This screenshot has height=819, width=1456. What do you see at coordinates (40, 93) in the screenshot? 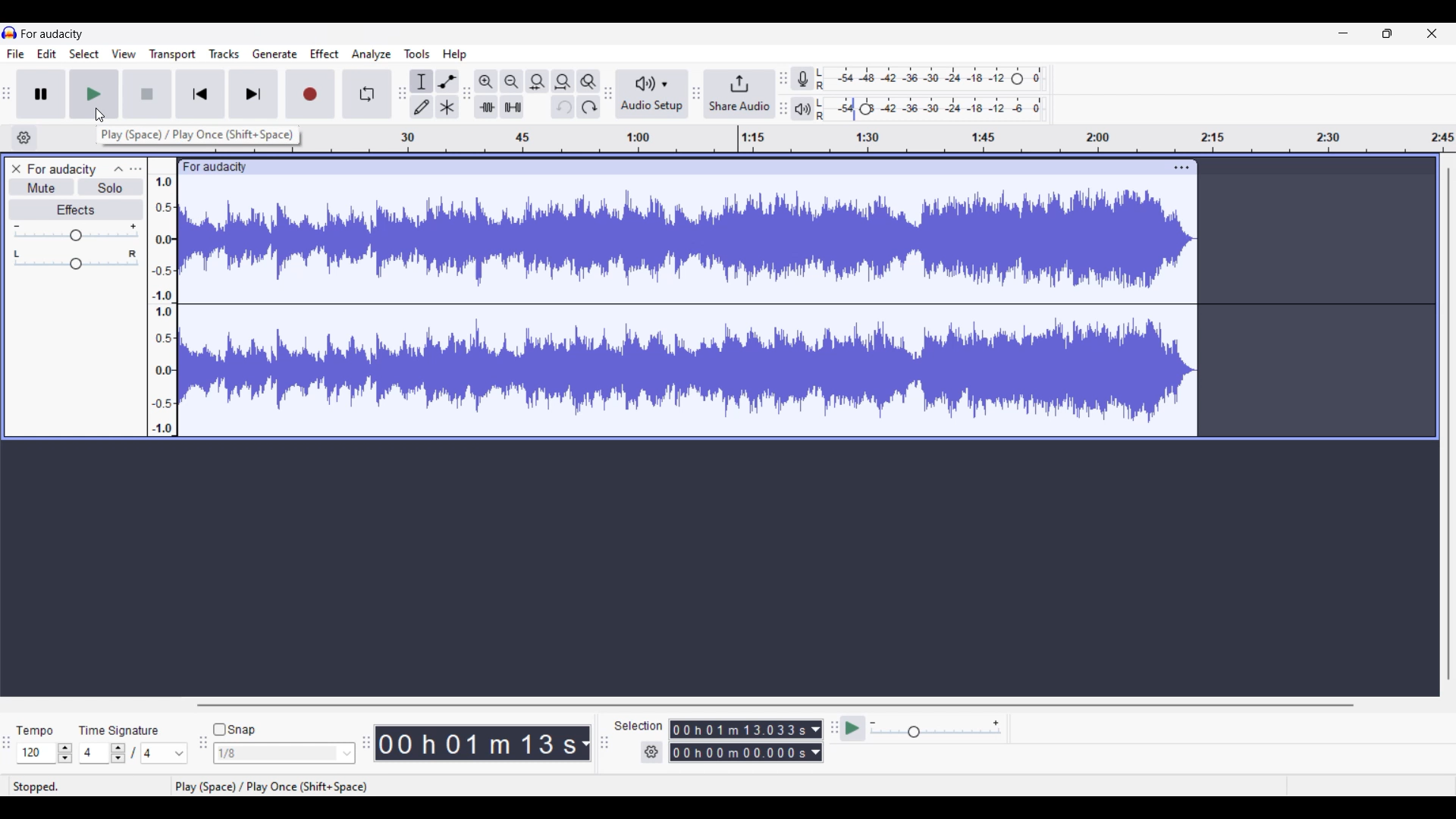
I see `Pause` at bounding box center [40, 93].